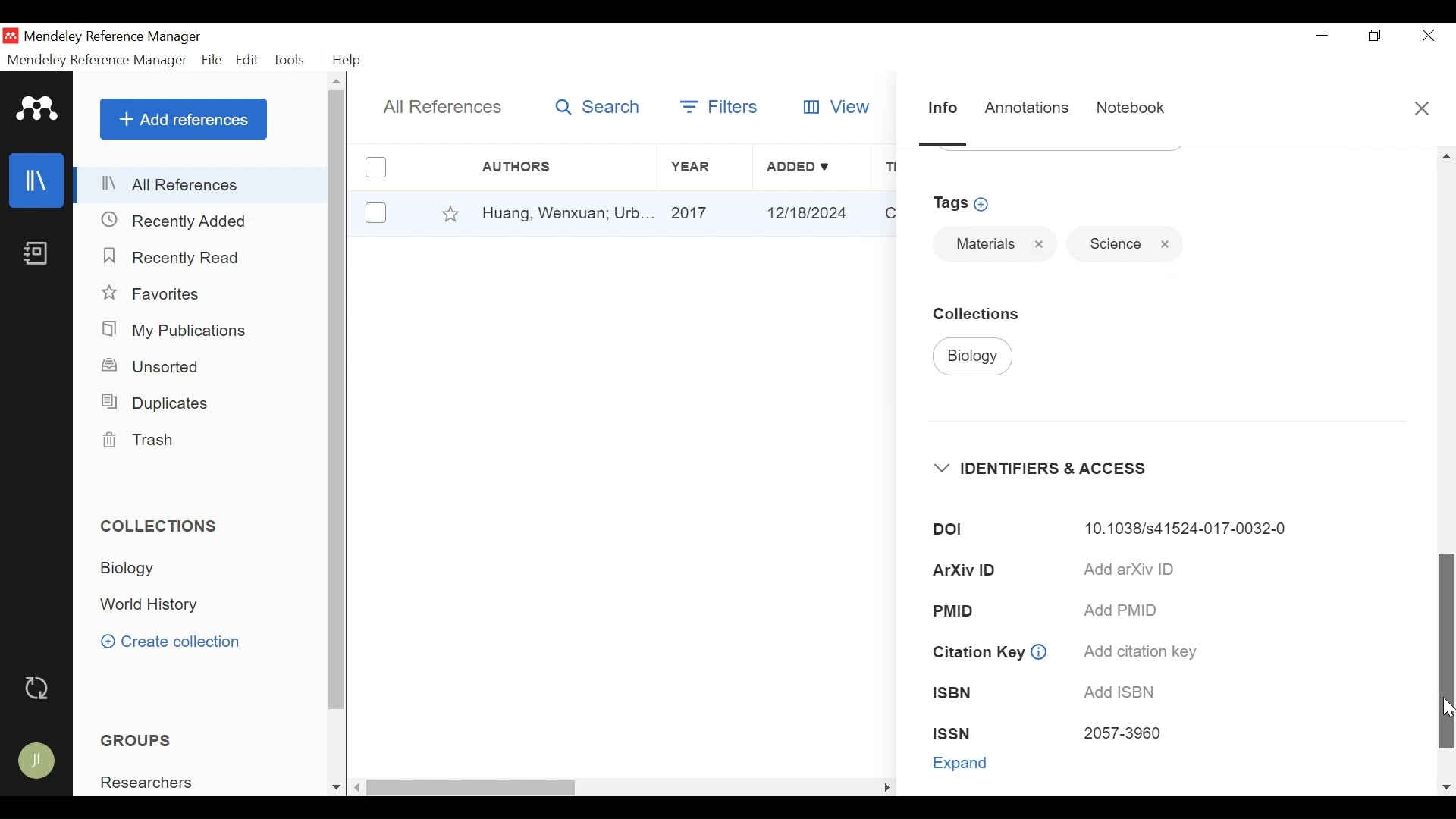  I want to click on Close, so click(1040, 244).